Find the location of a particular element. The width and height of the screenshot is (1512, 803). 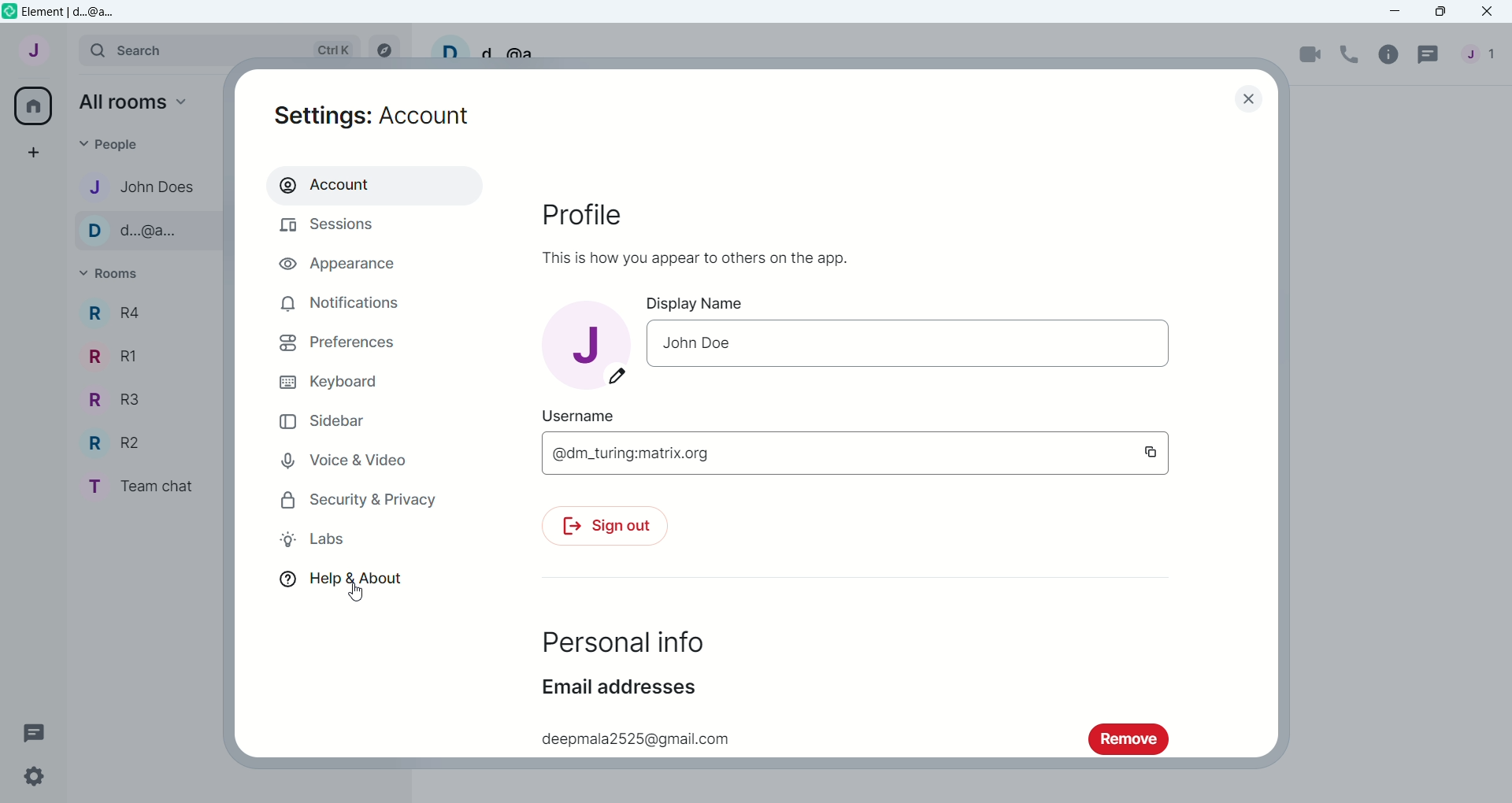

Voice and Video is located at coordinates (342, 458).